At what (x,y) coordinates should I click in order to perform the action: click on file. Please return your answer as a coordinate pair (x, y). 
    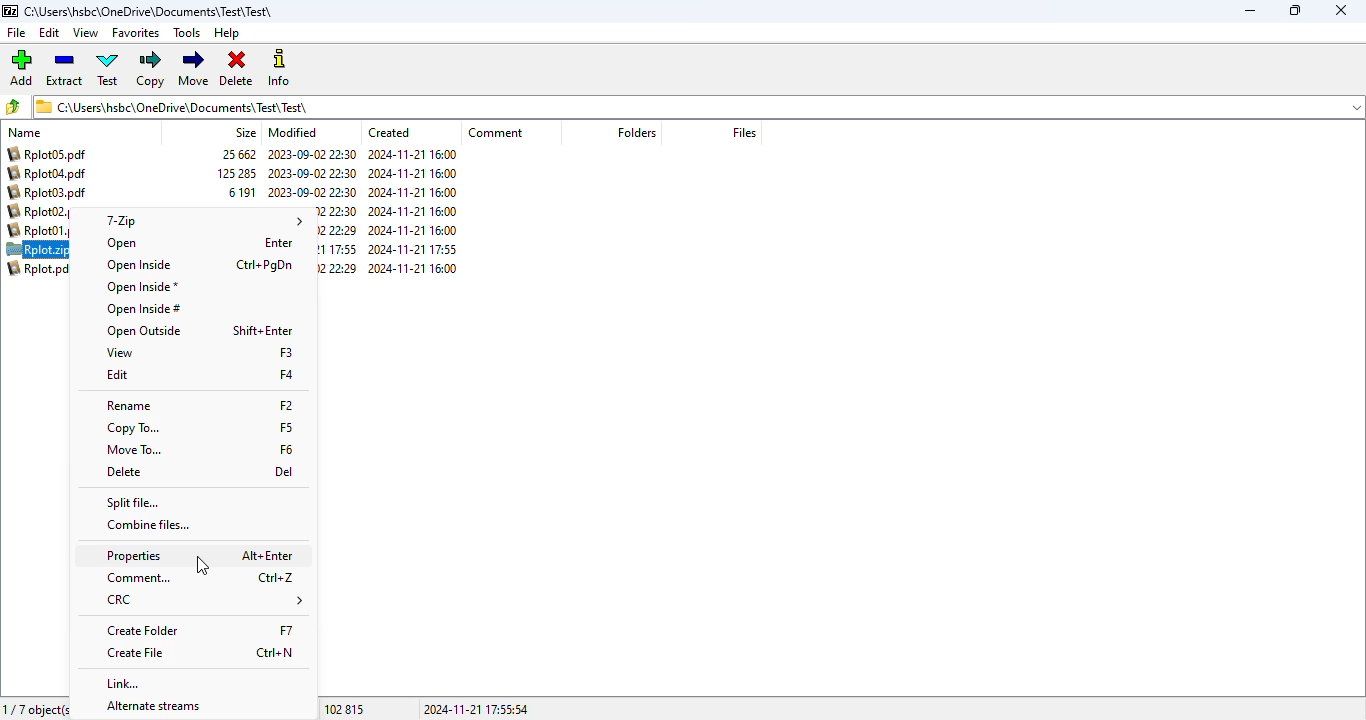
    Looking at the image, I should click on (41, 250).